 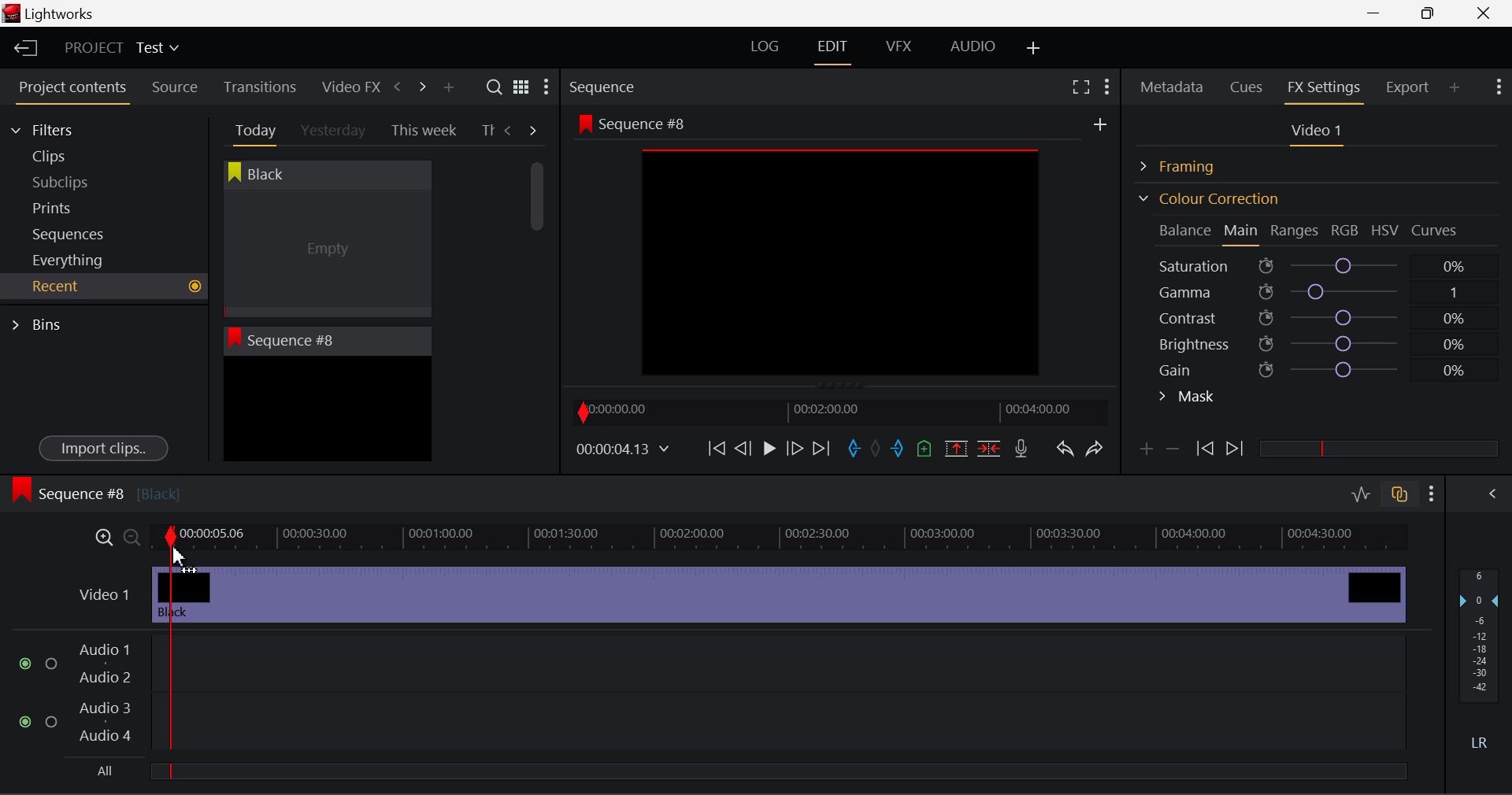 What do you see at coordinates (767, 449) in the screenshot?
I see `Play` at bounding box center [767, 449].